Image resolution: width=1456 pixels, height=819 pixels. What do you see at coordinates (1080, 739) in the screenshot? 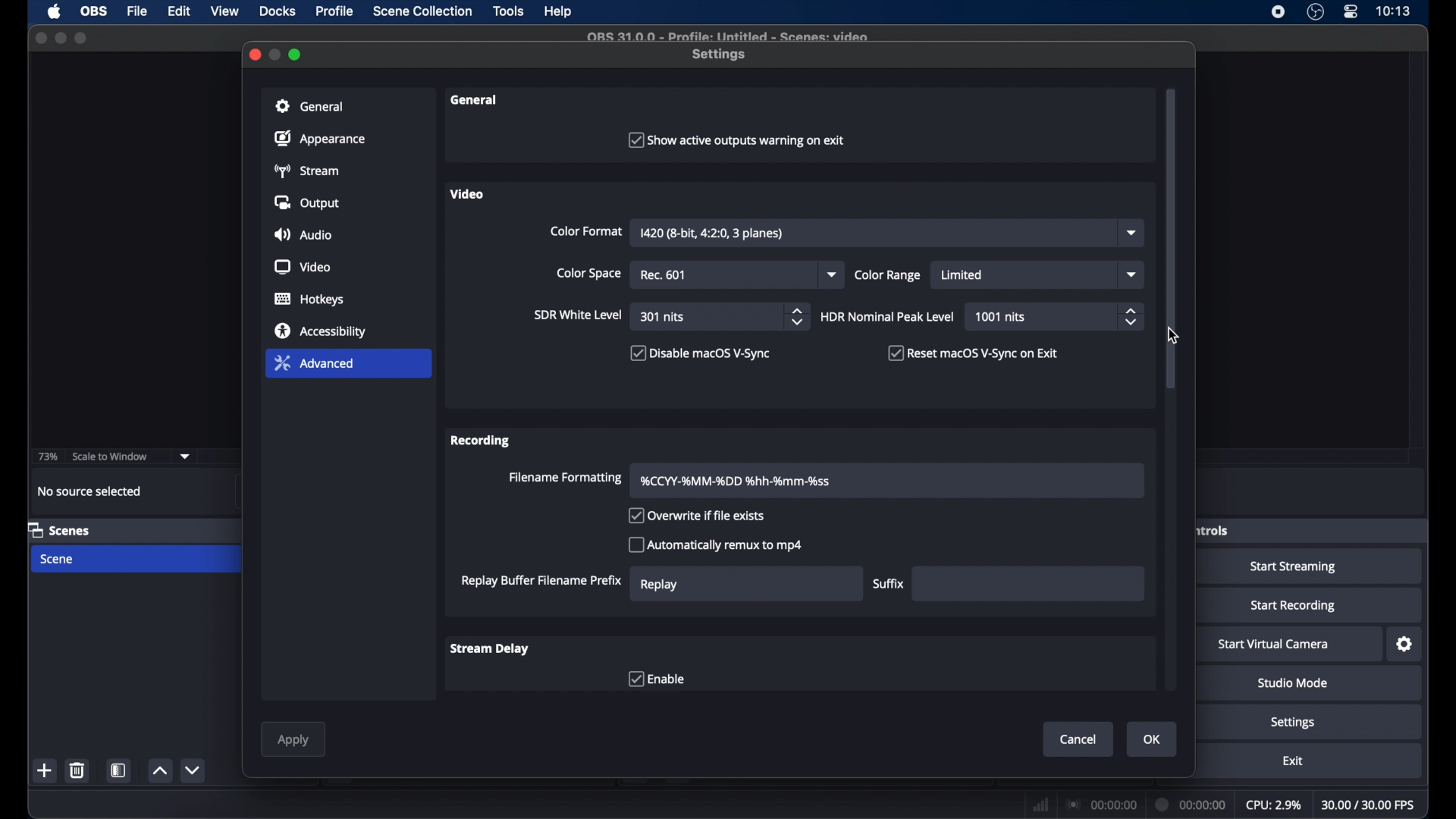
I see `cancel` at bounding box center [1080, 739].